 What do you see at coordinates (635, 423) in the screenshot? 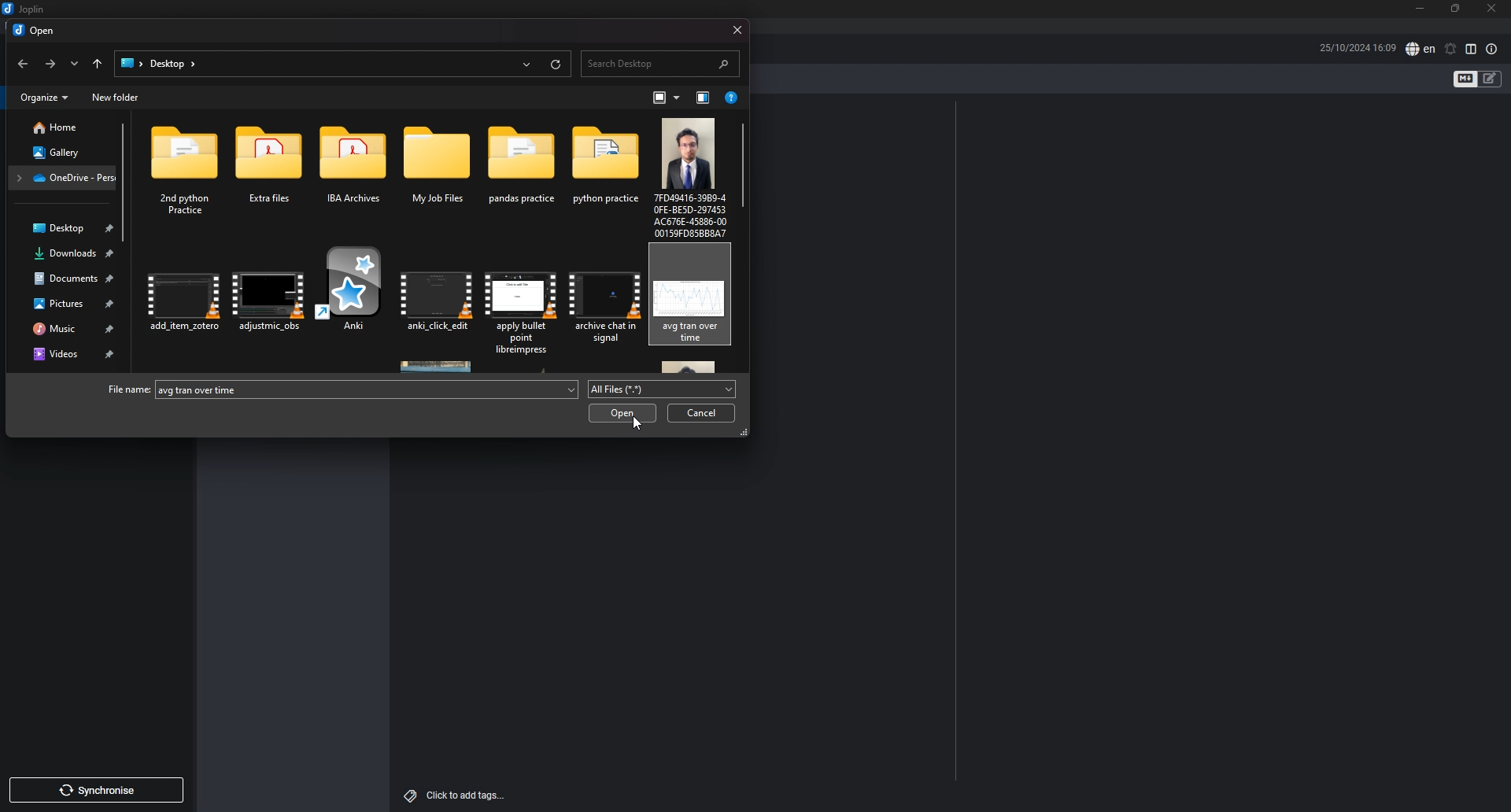
I see `cursor` at bounding box center [635, 423].